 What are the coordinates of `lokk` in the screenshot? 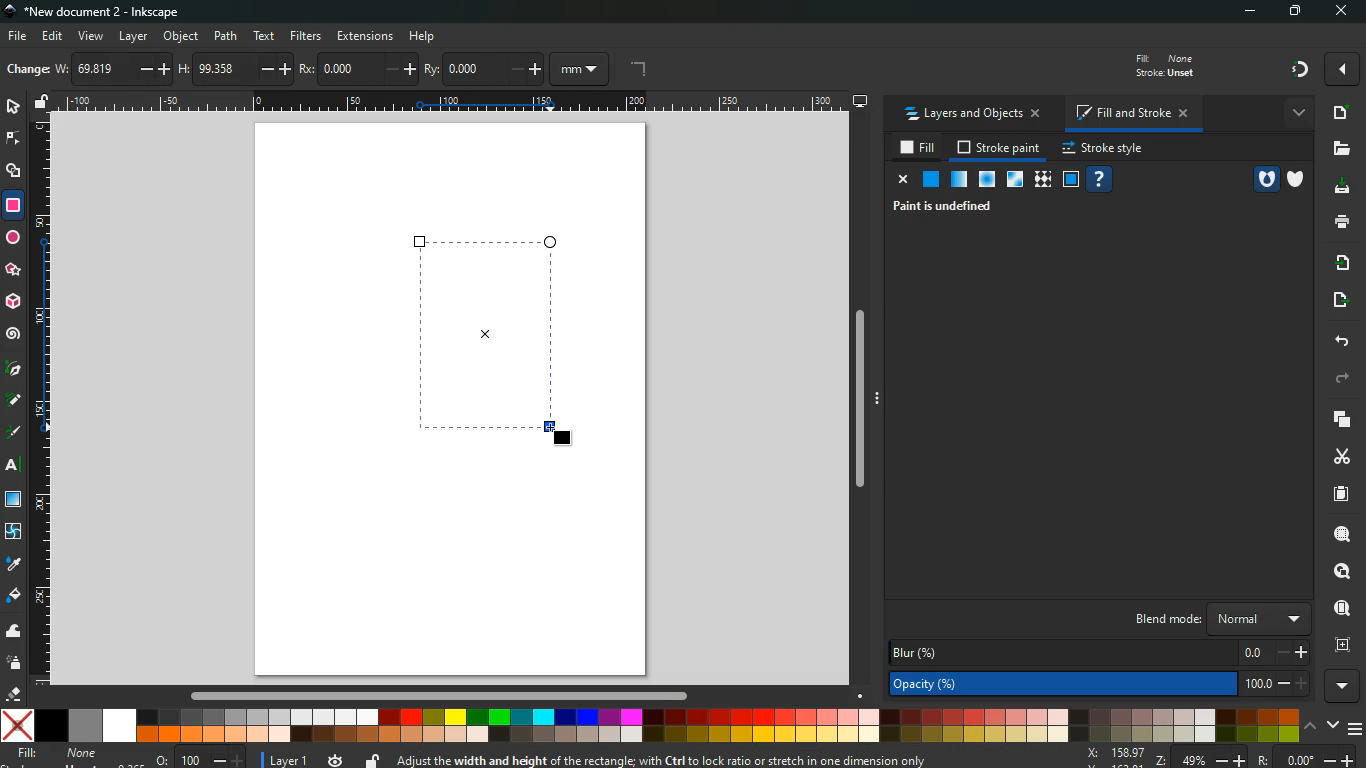 It's located at (1340, 569).